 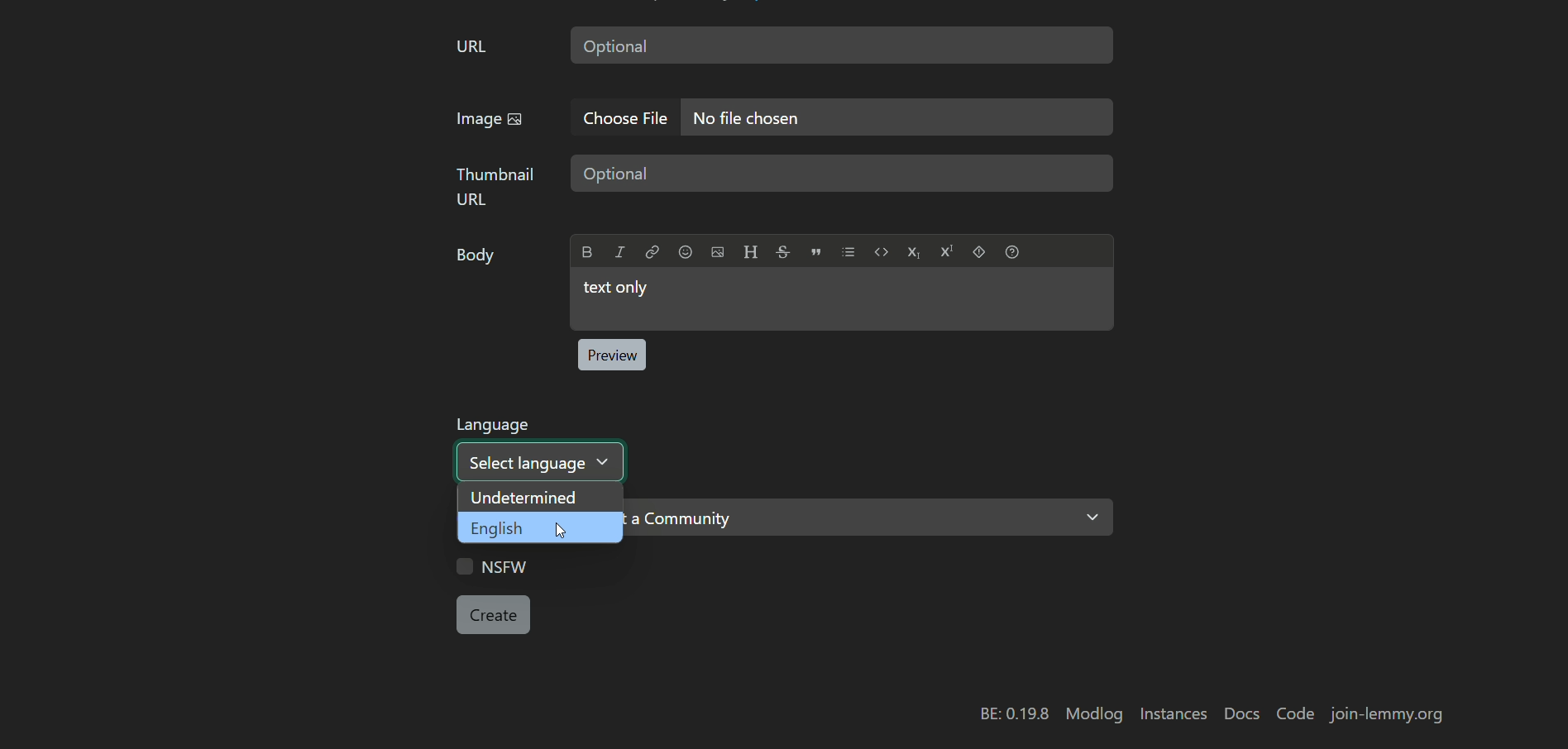 What do you see at coordinates (629, 117) in the screenshot?
I see `choose file` at bounding box center [629, 117].